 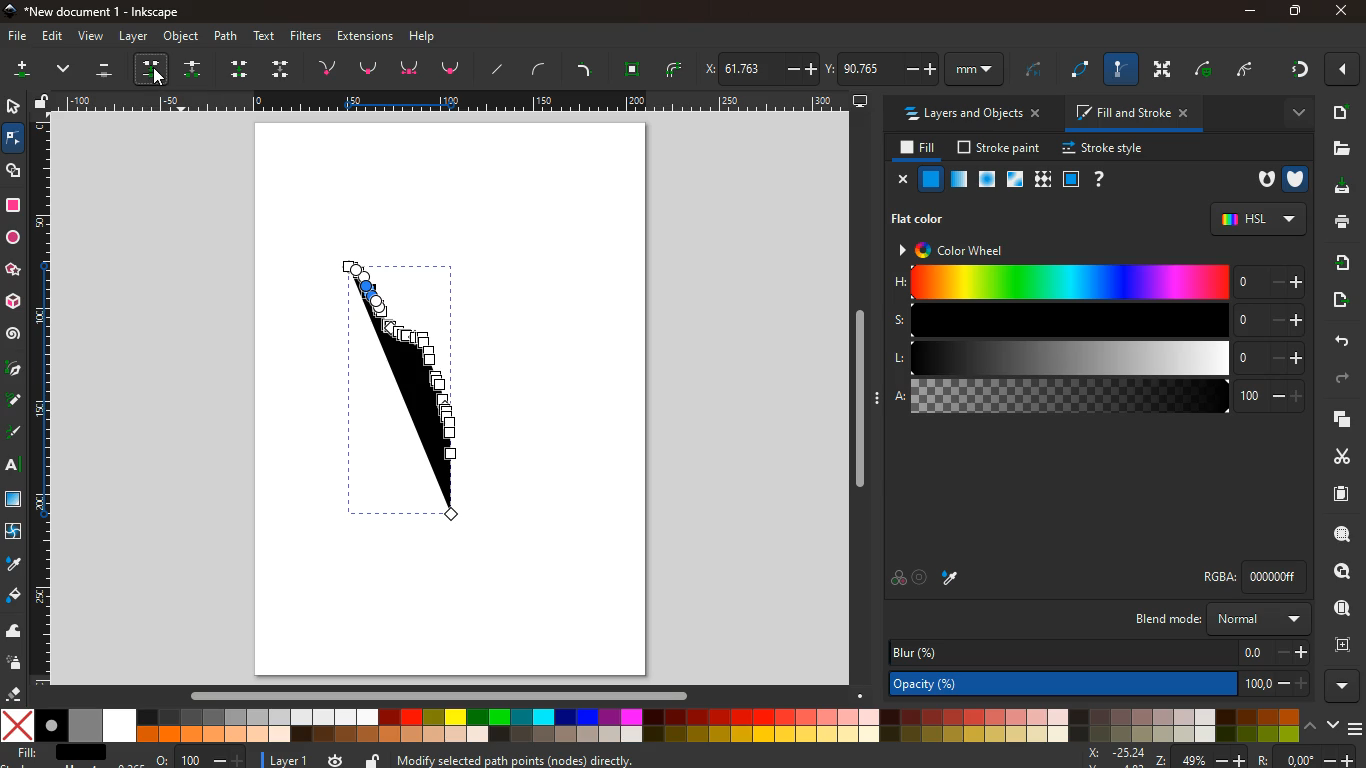 I want to click on color, so click(x=651, y=725).